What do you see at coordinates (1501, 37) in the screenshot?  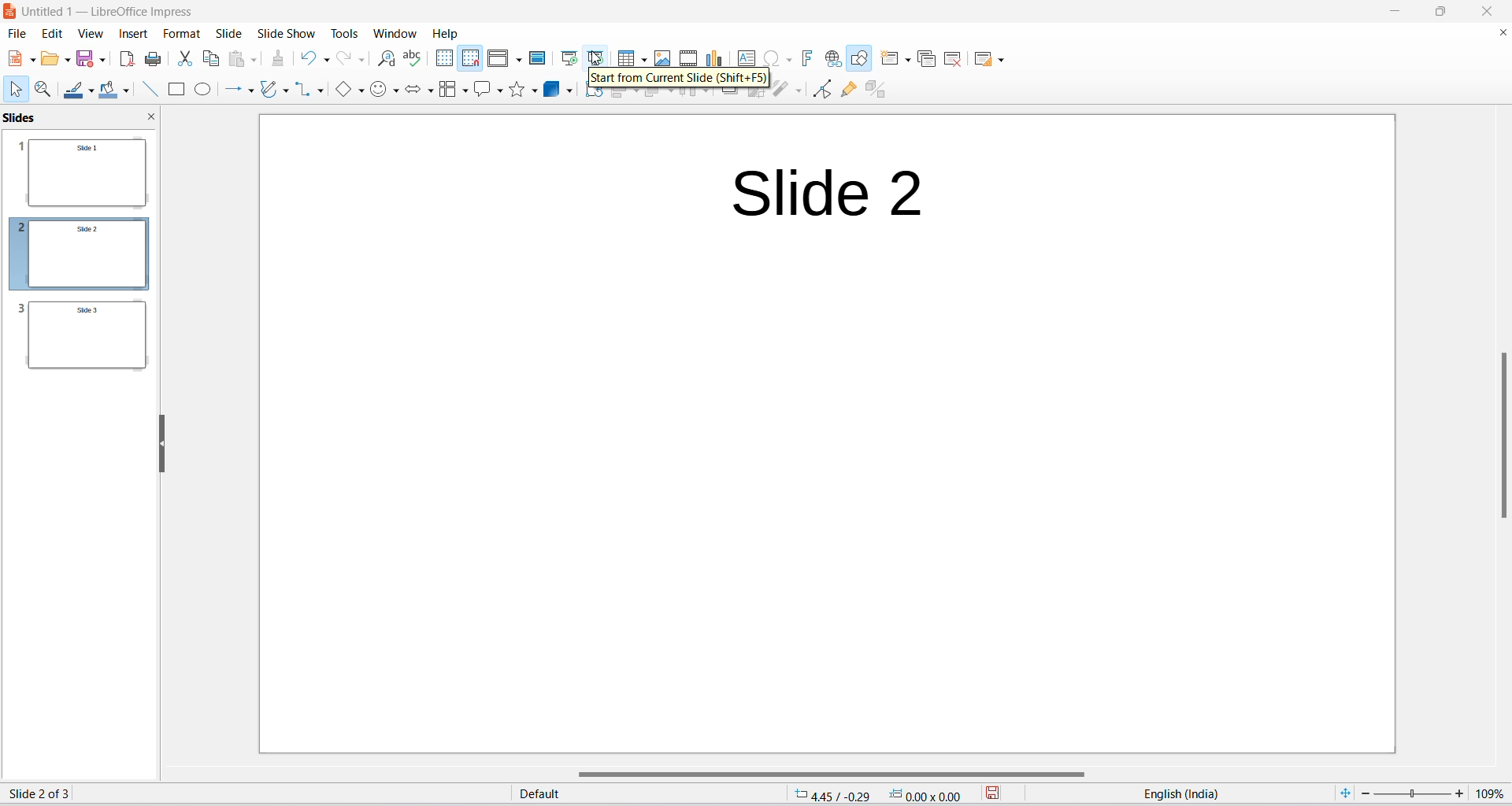 I see `close document` at bounding box center [1501, 37].